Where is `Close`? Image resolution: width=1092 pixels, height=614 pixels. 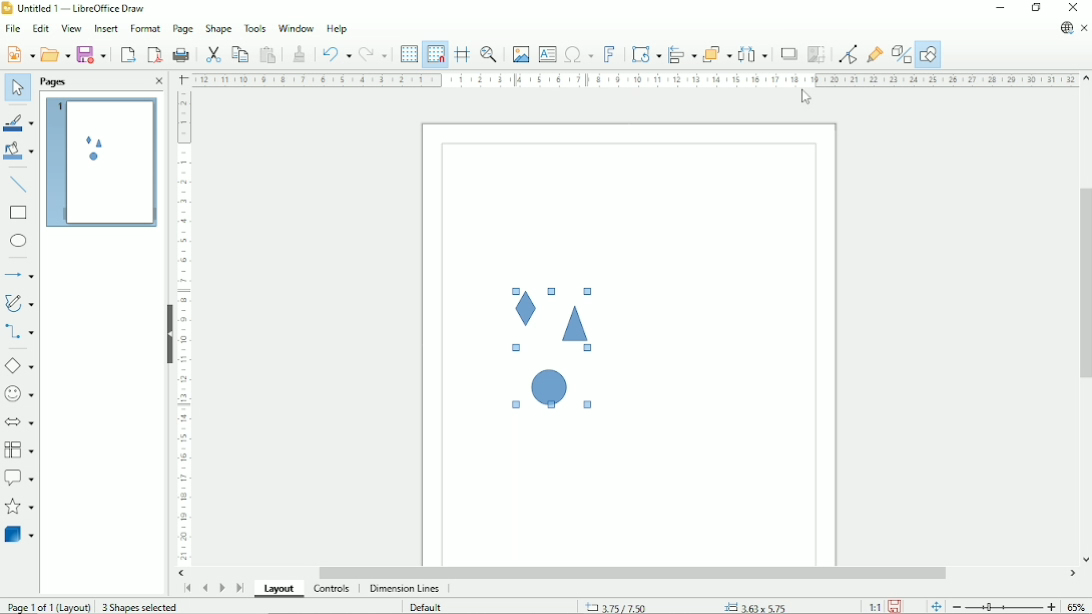 Close is located at coordinates (158, 82).